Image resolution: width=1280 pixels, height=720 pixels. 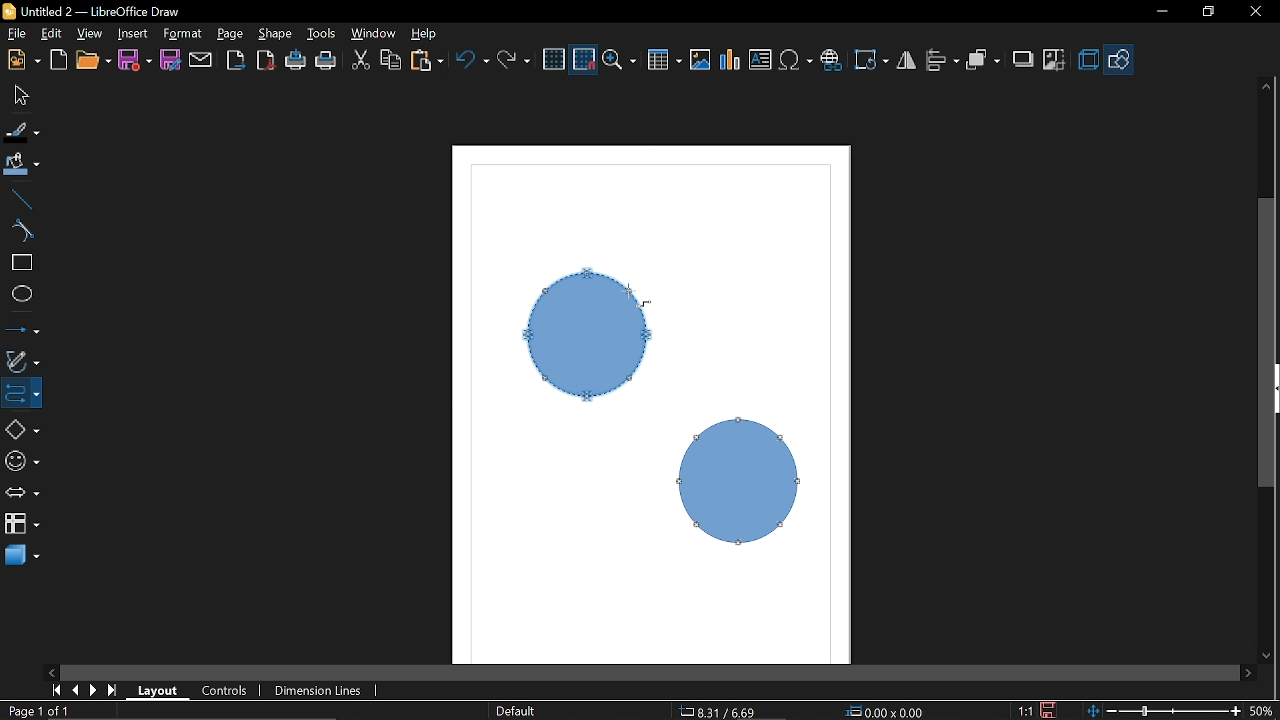 What do you see at coordinates (1254, 13) in the screenshot?
I see `Close` at bounding box center [1254, 13].